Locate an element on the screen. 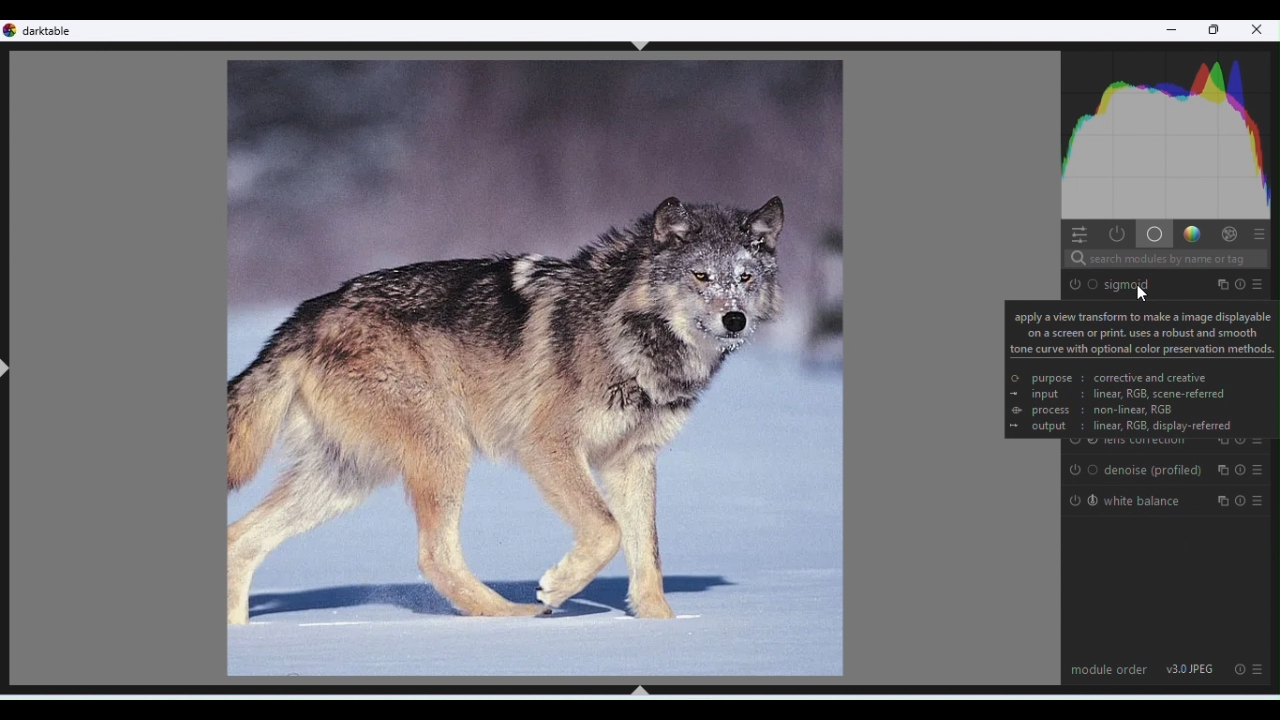 This screenshot has height=720, width=1280. process : non-linear, RGB is located at coordinates (1103, 411).